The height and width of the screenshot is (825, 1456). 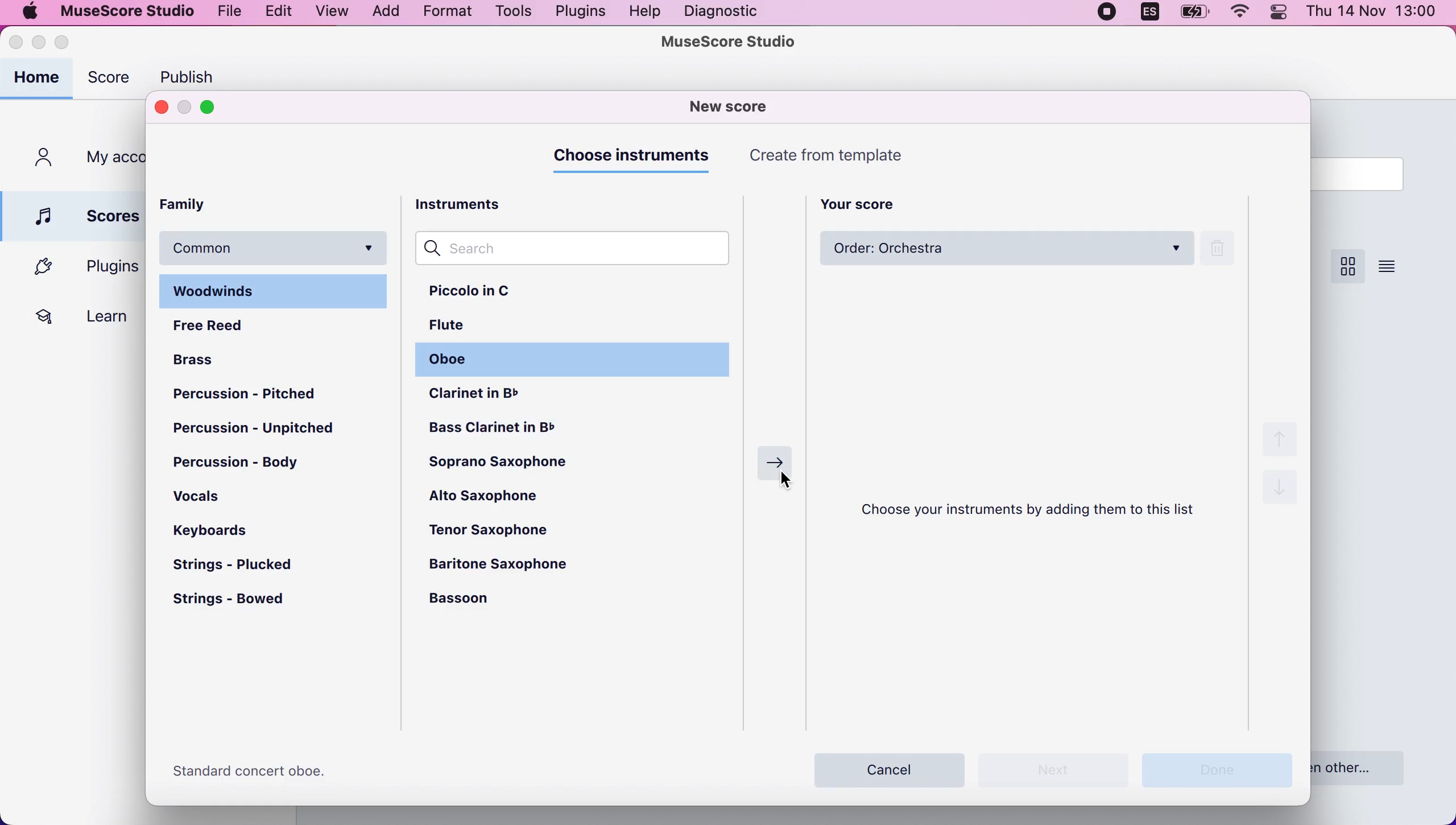 I want to click on oboe, so click(x=457, y=363).